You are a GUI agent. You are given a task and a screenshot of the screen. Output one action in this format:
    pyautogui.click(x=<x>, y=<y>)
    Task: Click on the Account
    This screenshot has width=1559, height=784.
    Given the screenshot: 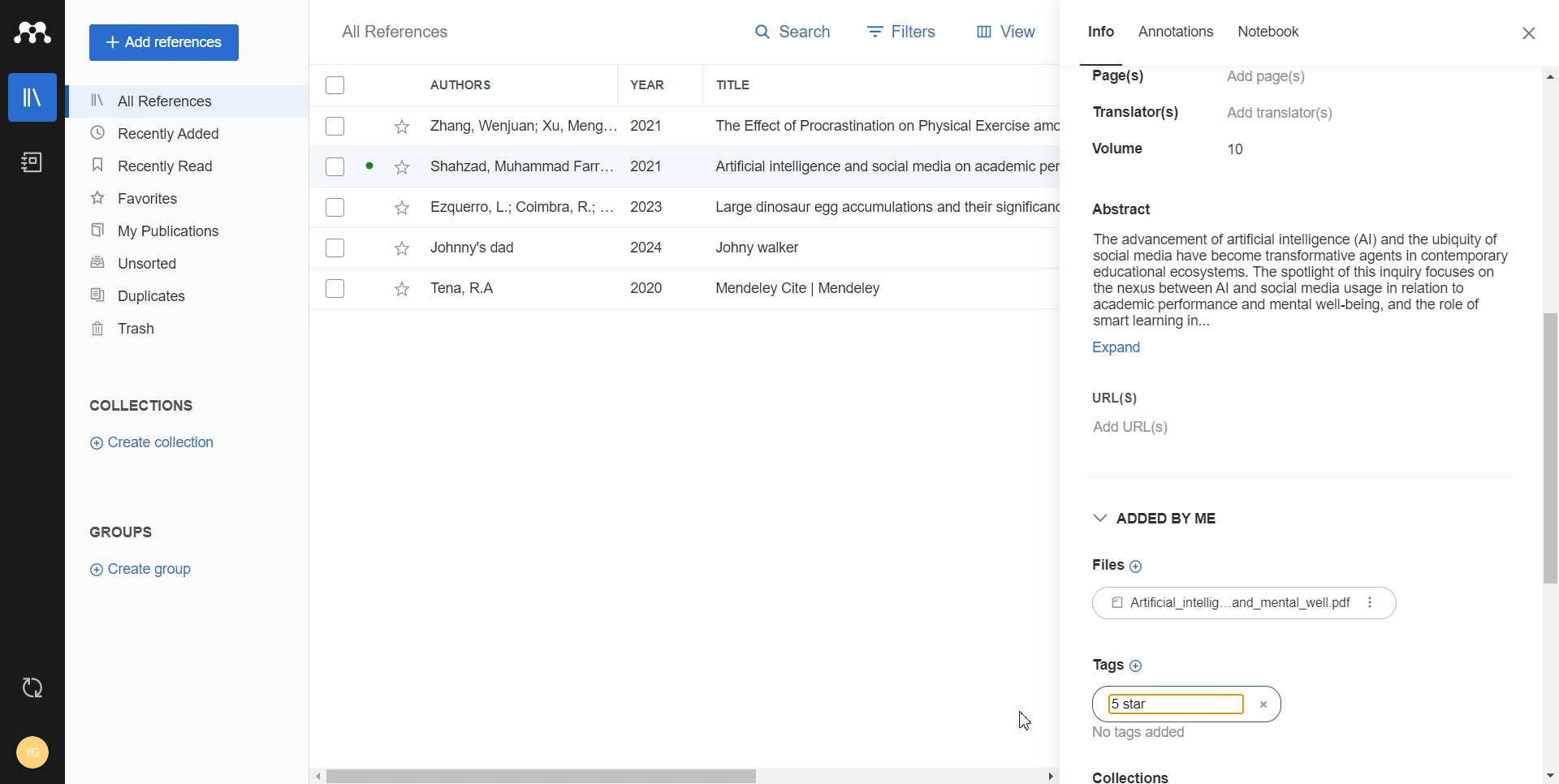 What is the action you would take?
    pyautogui.click(x=32, y=754)
    